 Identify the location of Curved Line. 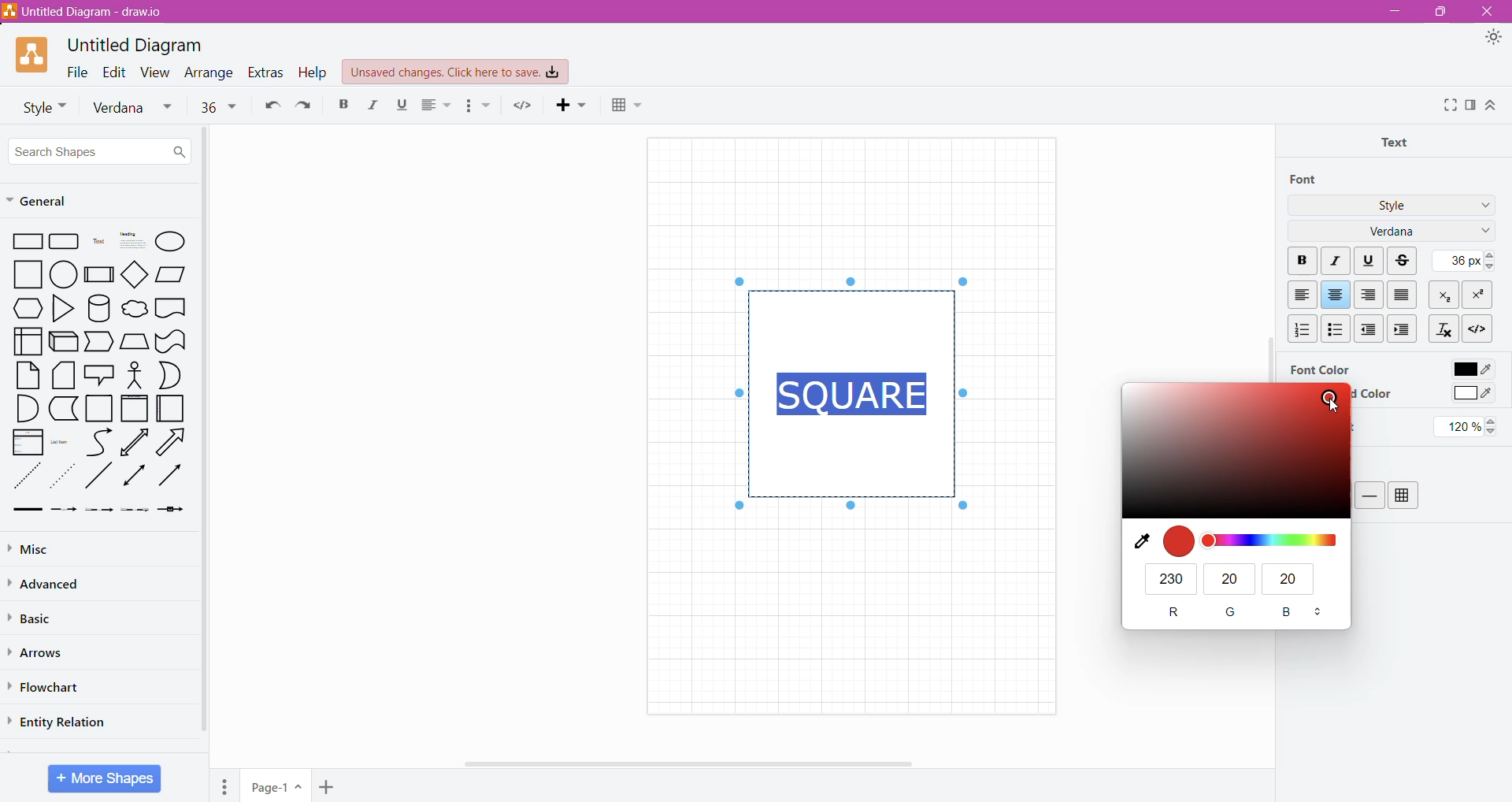
(98, 443).